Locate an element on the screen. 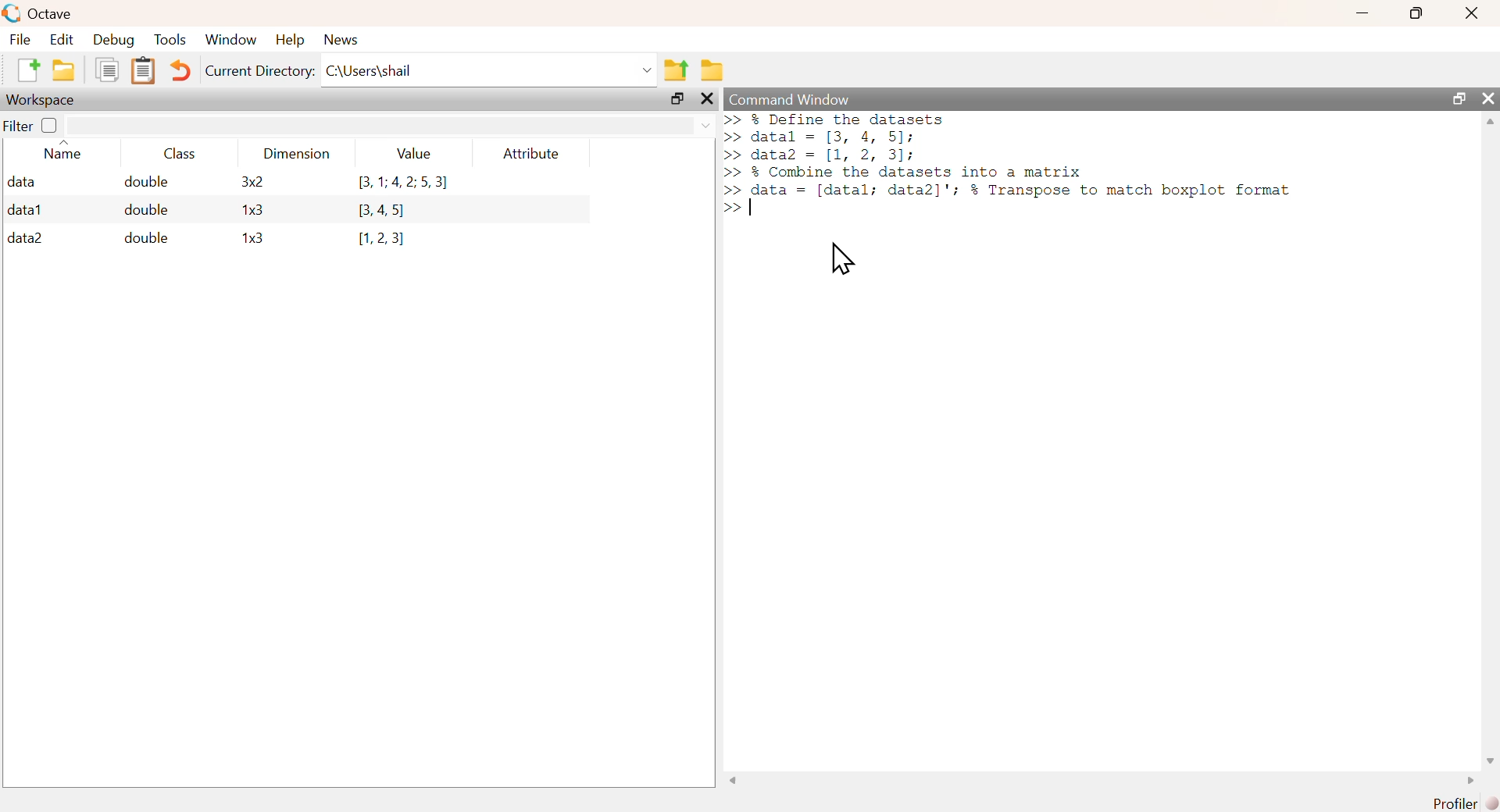 This screenshot has width=1500, height=812. Dimension is located at coordinates (297, 154).